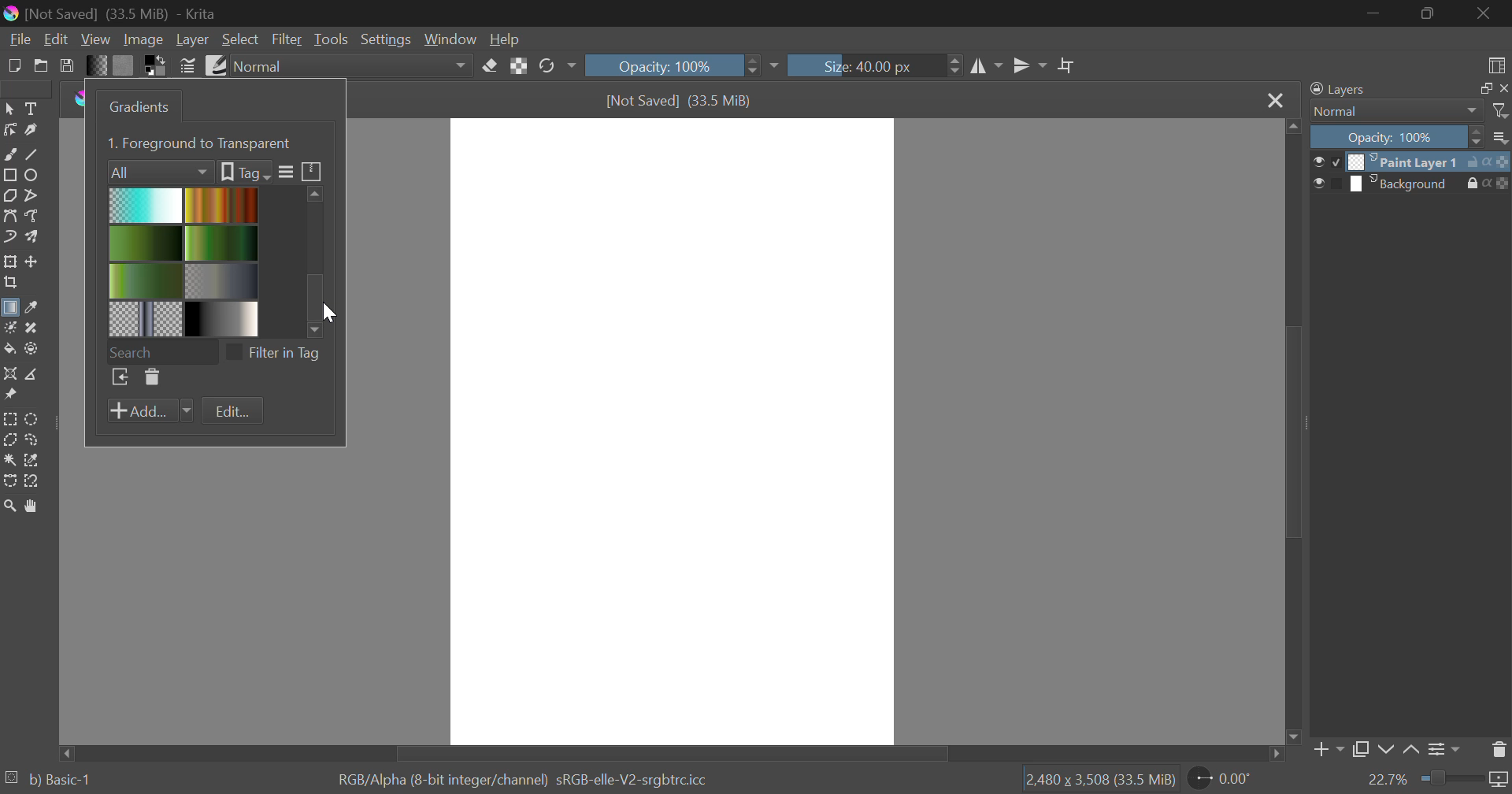 The image size is (1512, 794). What do you see at coordinates (1067, 66) in the screenshot?
I see `Crop` at bounding box center [1067, 66].